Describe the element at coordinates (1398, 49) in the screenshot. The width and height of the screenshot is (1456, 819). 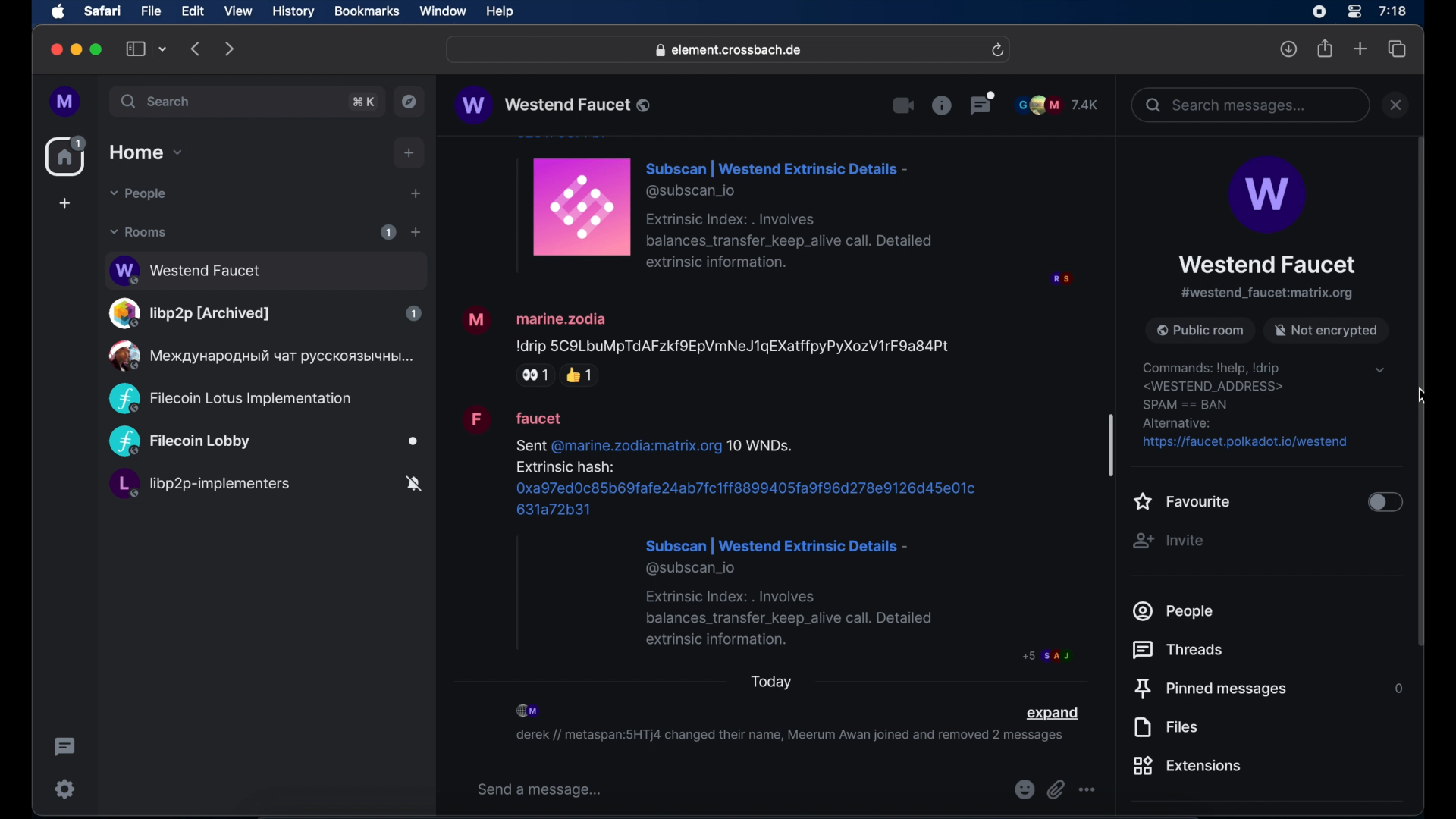
I see `show tab overview` at that location.